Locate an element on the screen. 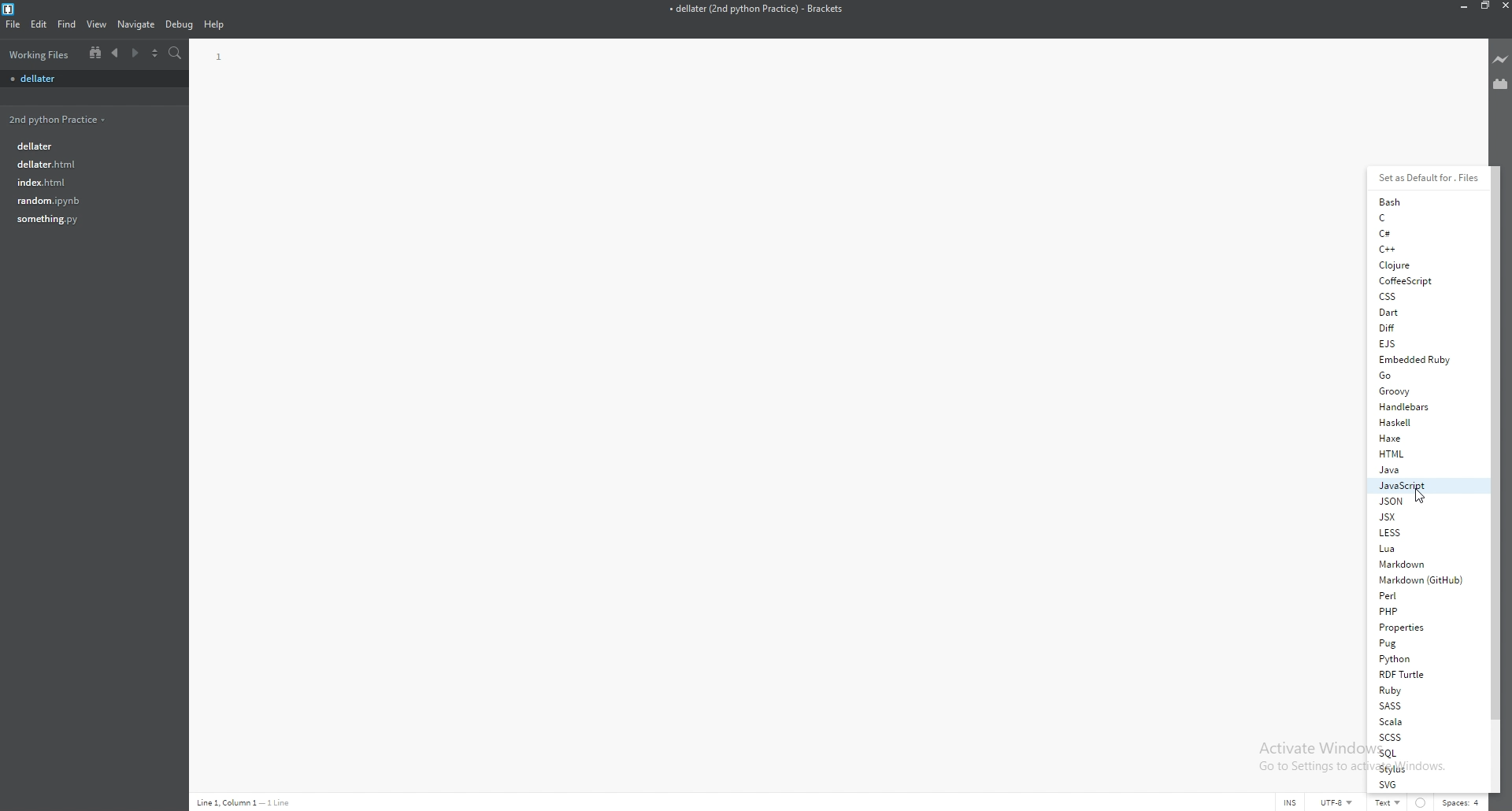 This screenshot has height=811, width=1512. haxe is located at coordinates (1424, 438).